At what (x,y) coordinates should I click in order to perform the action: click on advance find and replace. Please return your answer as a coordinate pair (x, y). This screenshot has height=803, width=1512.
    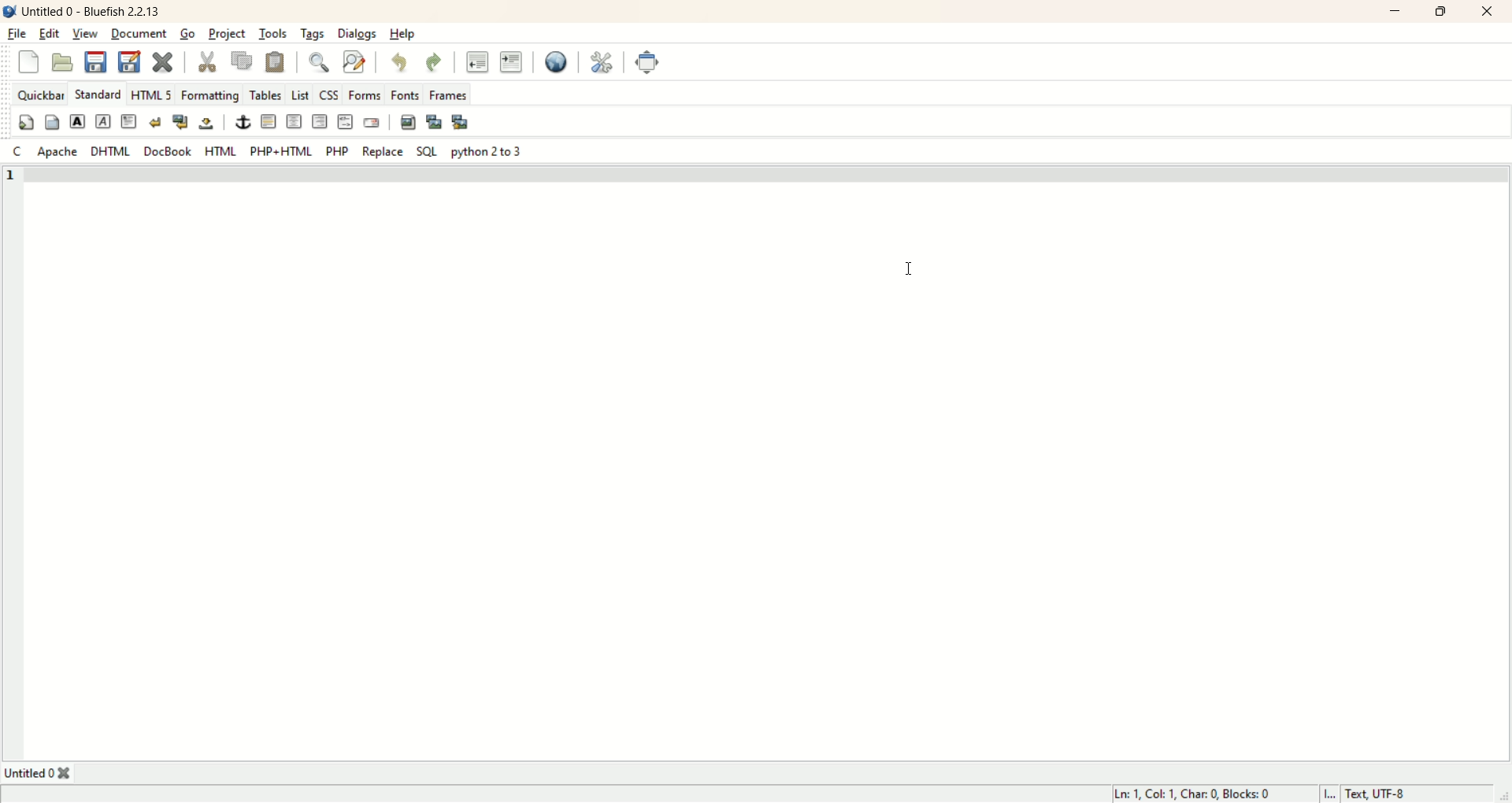
    Looking at the image, I should click on (354, 63).